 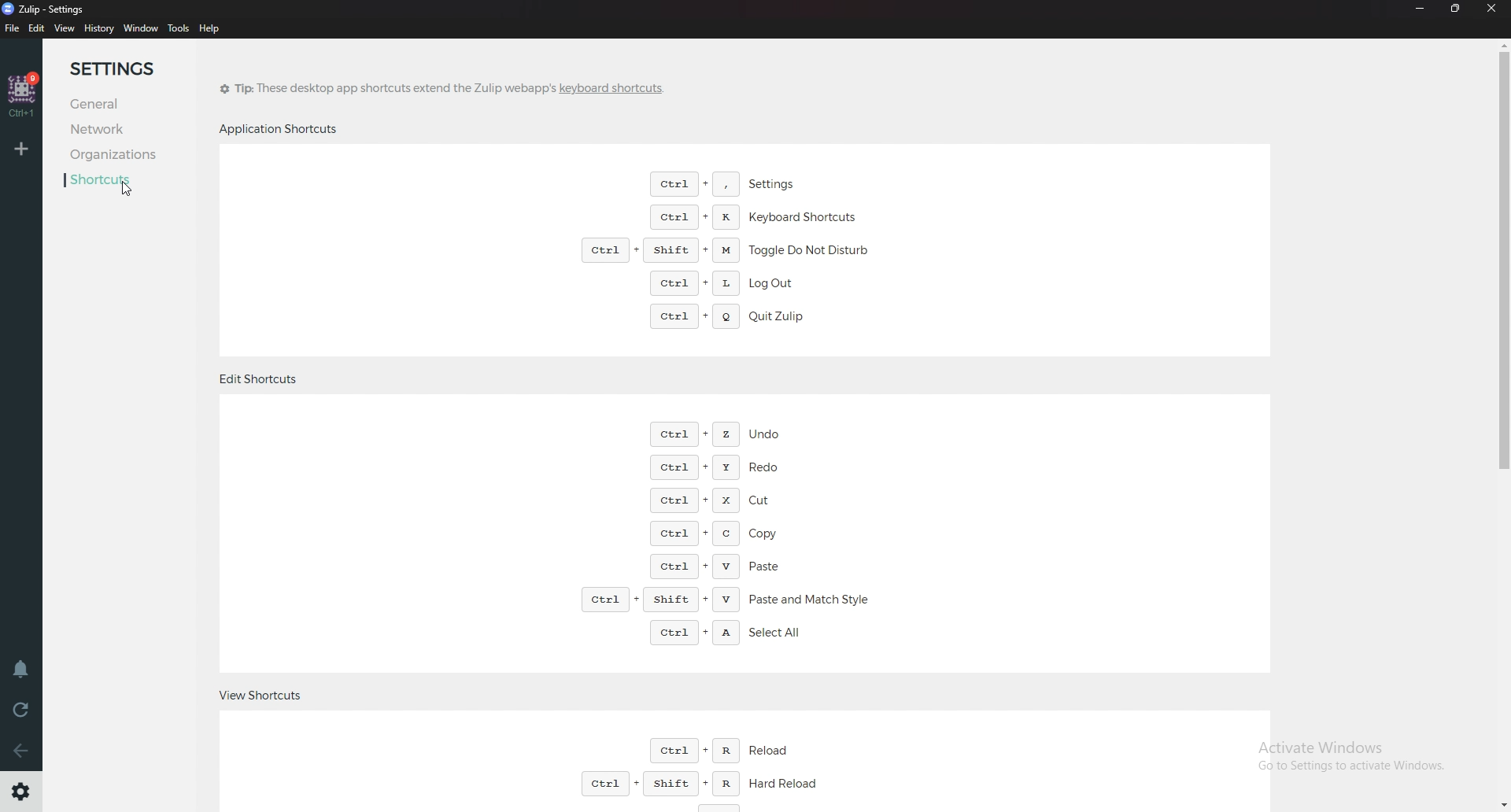 What do you see at coordinates (98, 28) in the screenshot?
I see `history` at bounding box center [98, 28].